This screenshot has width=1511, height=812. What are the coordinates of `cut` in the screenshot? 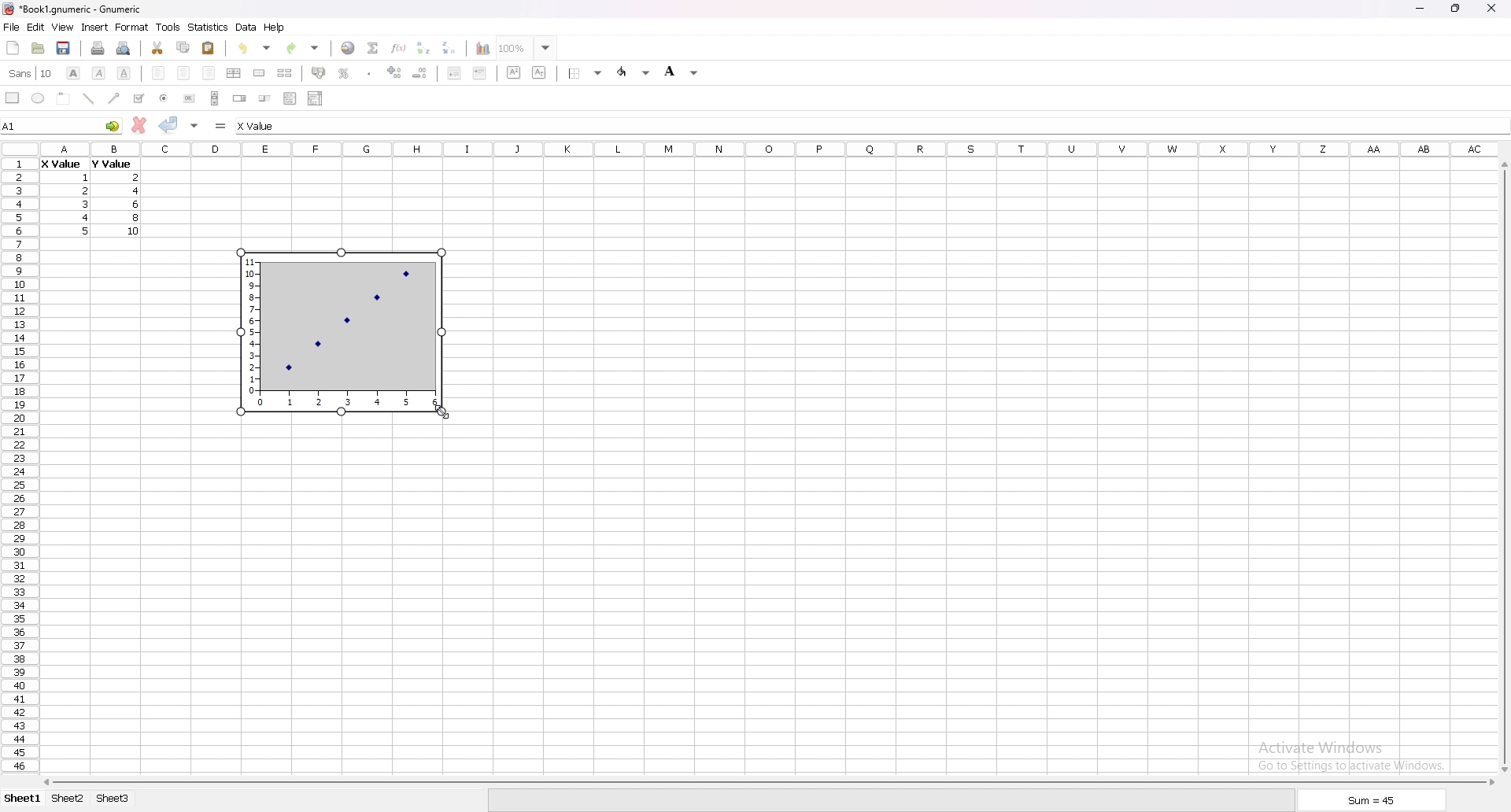 It's located at (158, 47).